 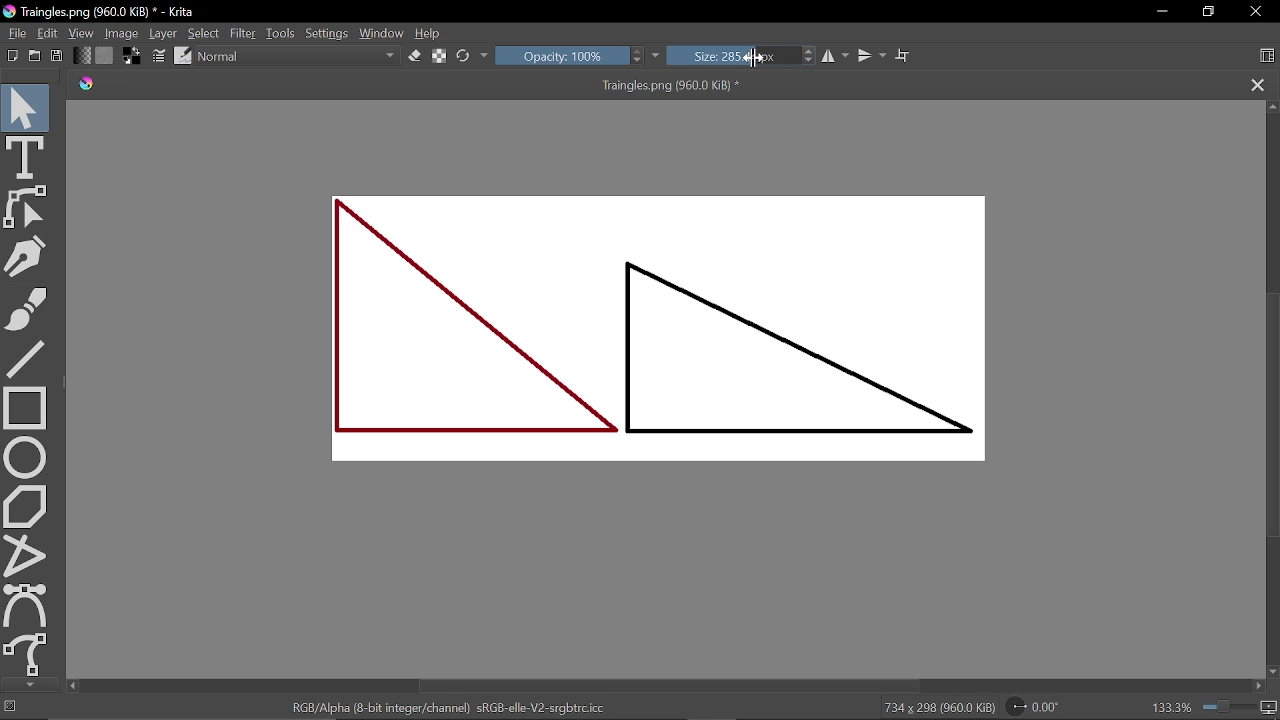 I want to click on Polygon tool, so click(x=28, y=506).